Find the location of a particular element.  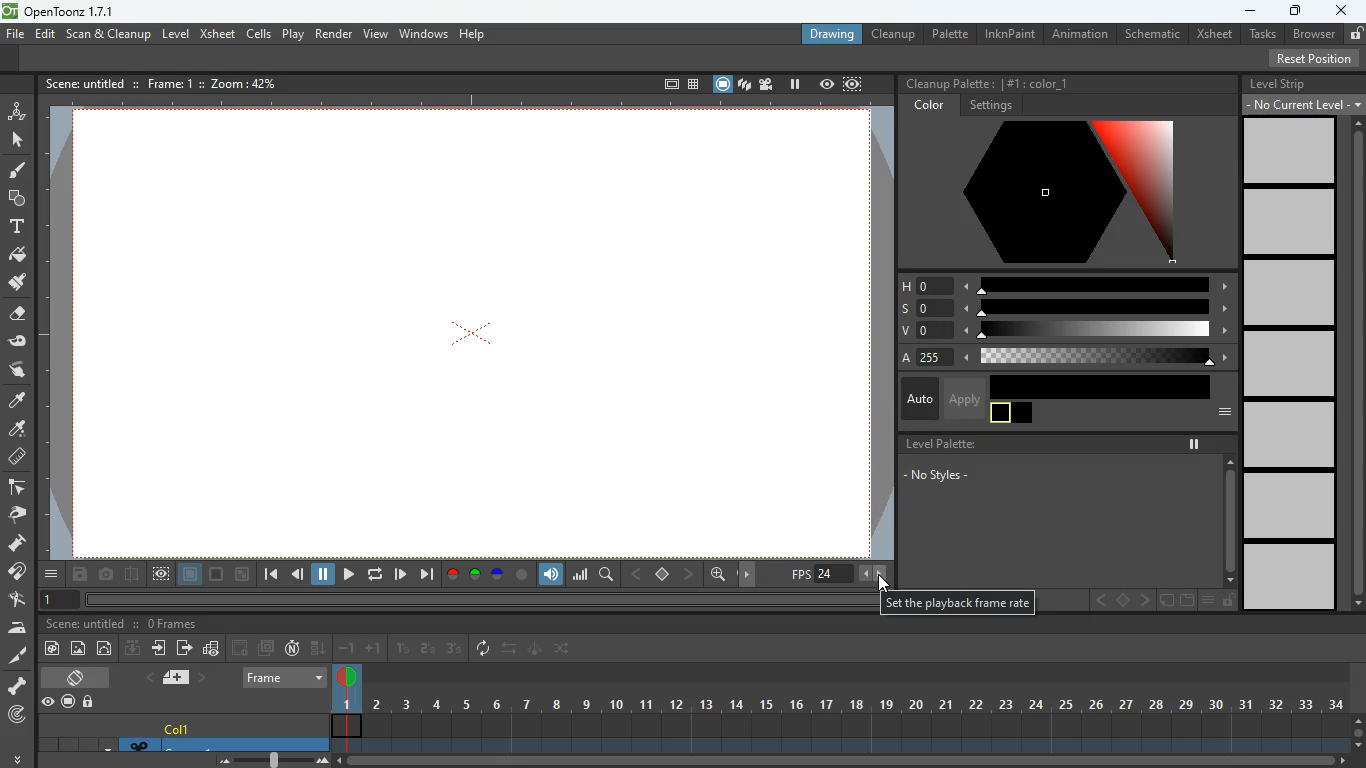

file is located at coordinates (14, 34).